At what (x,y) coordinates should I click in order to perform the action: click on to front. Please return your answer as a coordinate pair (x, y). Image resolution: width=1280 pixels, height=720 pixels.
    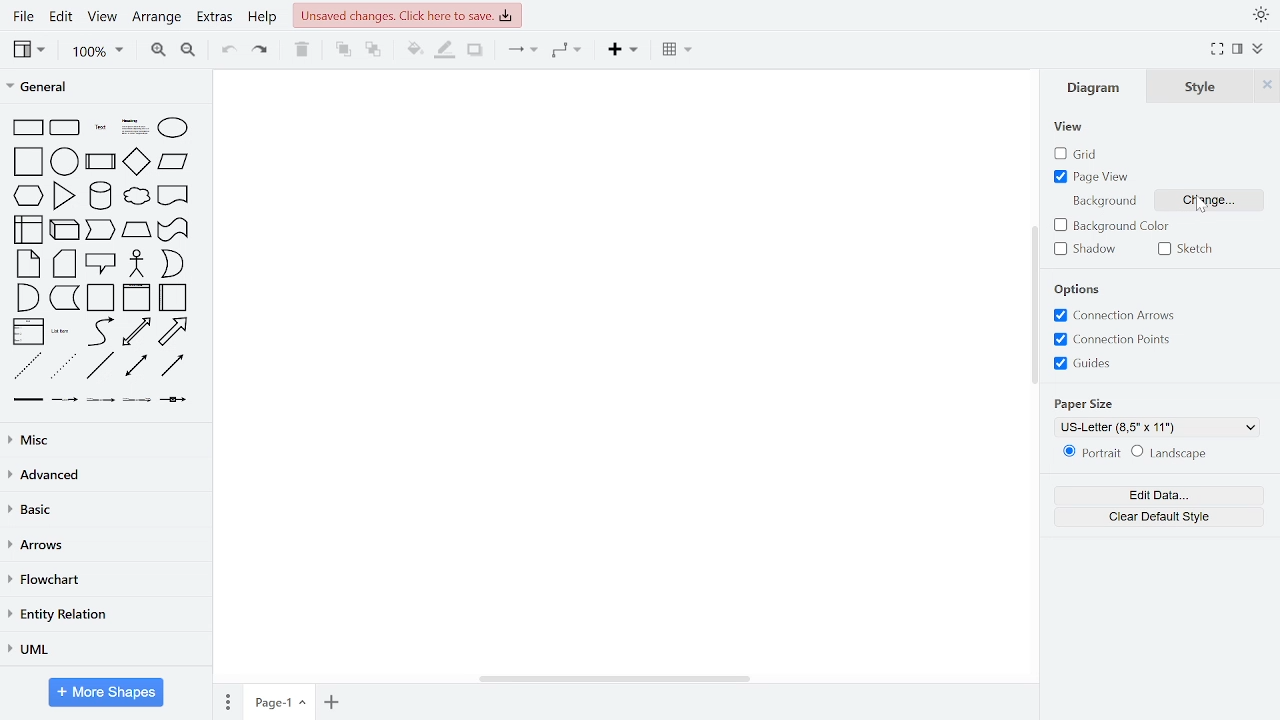
    Looking at the image, I should click on (343, 50).